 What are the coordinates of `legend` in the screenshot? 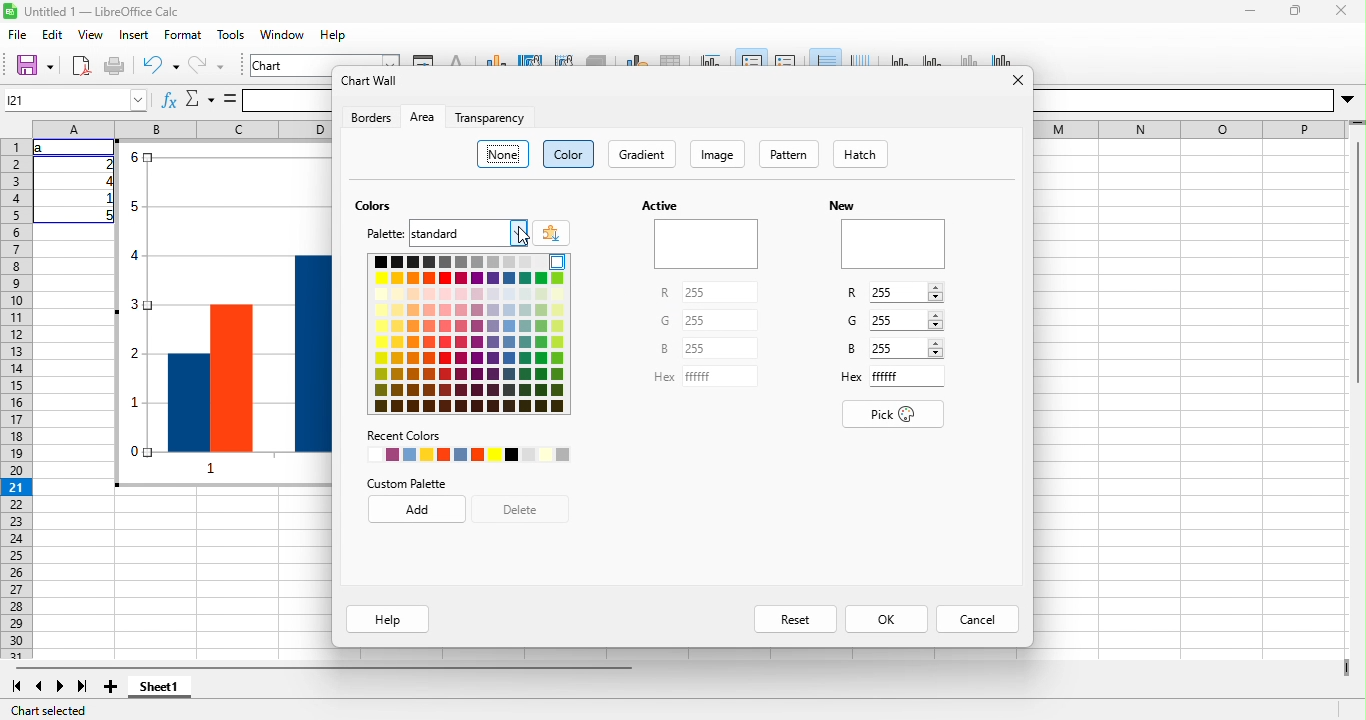 It's located at (786, 58).